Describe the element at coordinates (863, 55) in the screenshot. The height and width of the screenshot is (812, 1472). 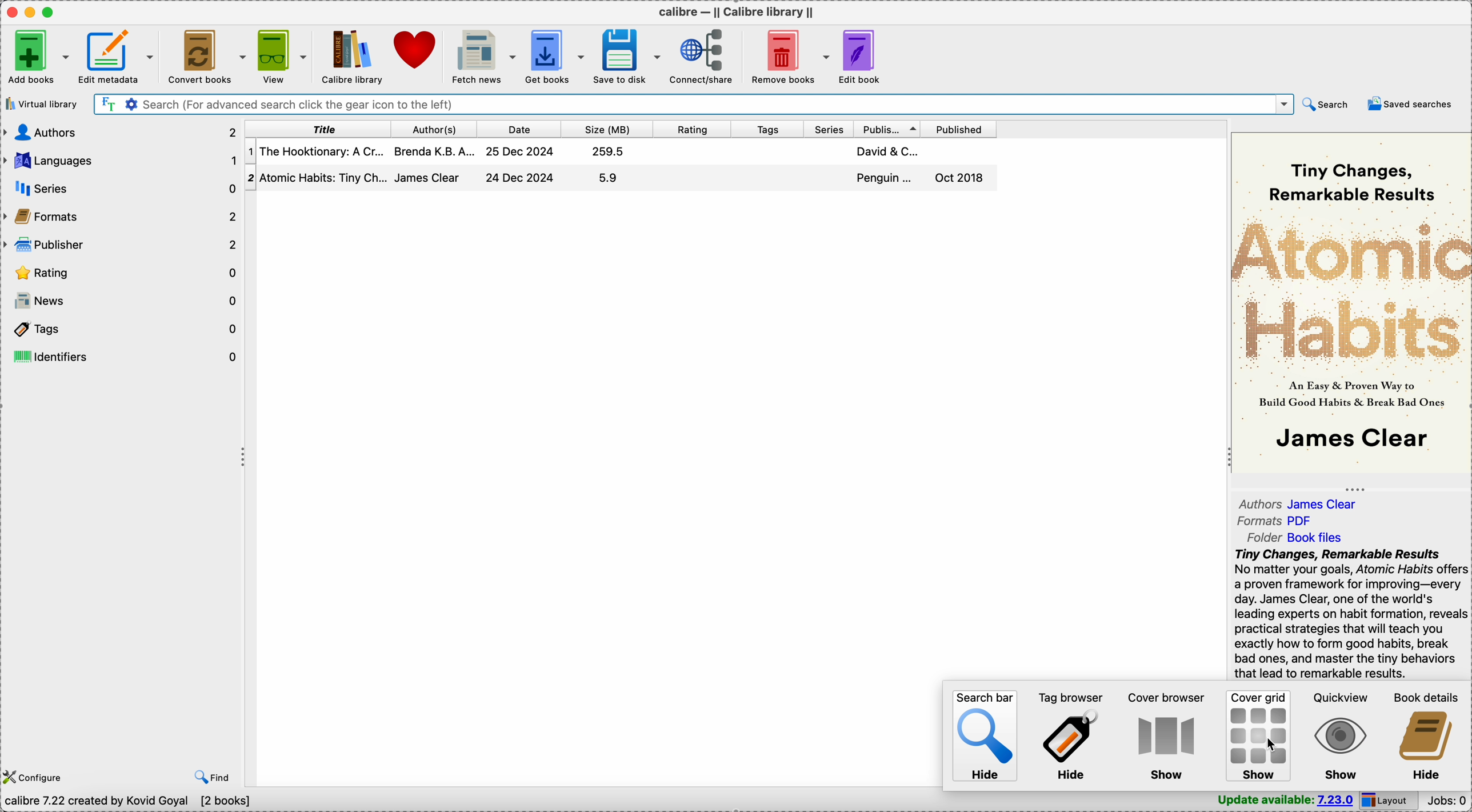
I see `edit book` at that location.